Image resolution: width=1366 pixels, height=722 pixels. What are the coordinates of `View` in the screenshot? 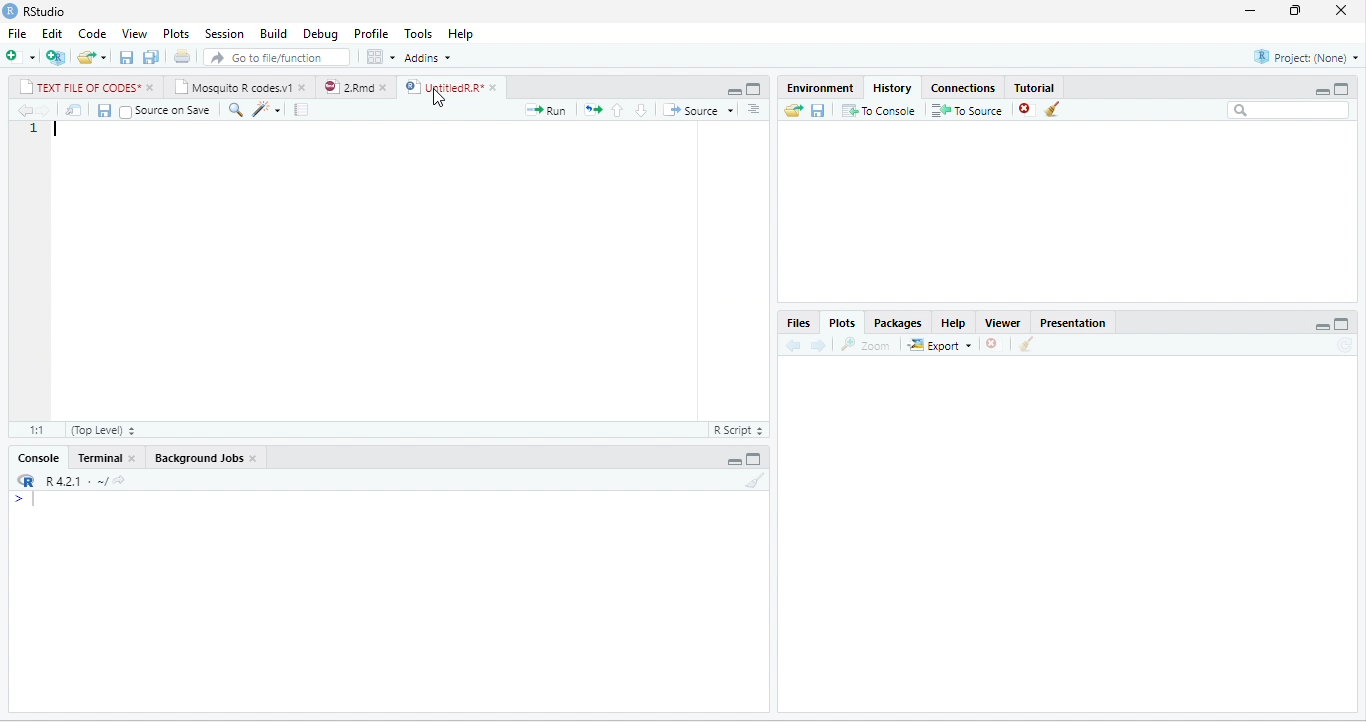 It's located at (135, 34).